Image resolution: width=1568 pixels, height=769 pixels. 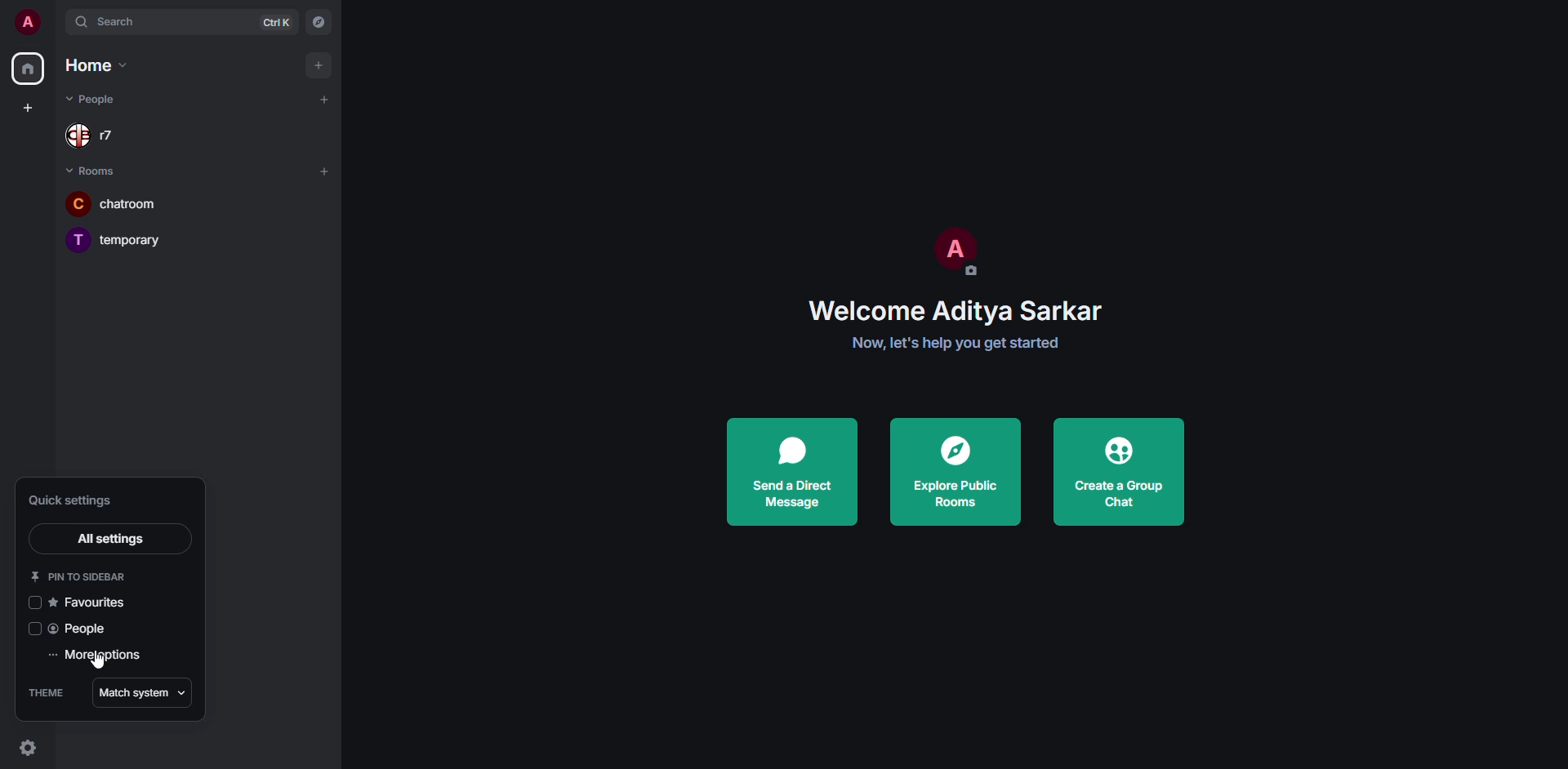 I want to click on home, so click(x=28, y=68).